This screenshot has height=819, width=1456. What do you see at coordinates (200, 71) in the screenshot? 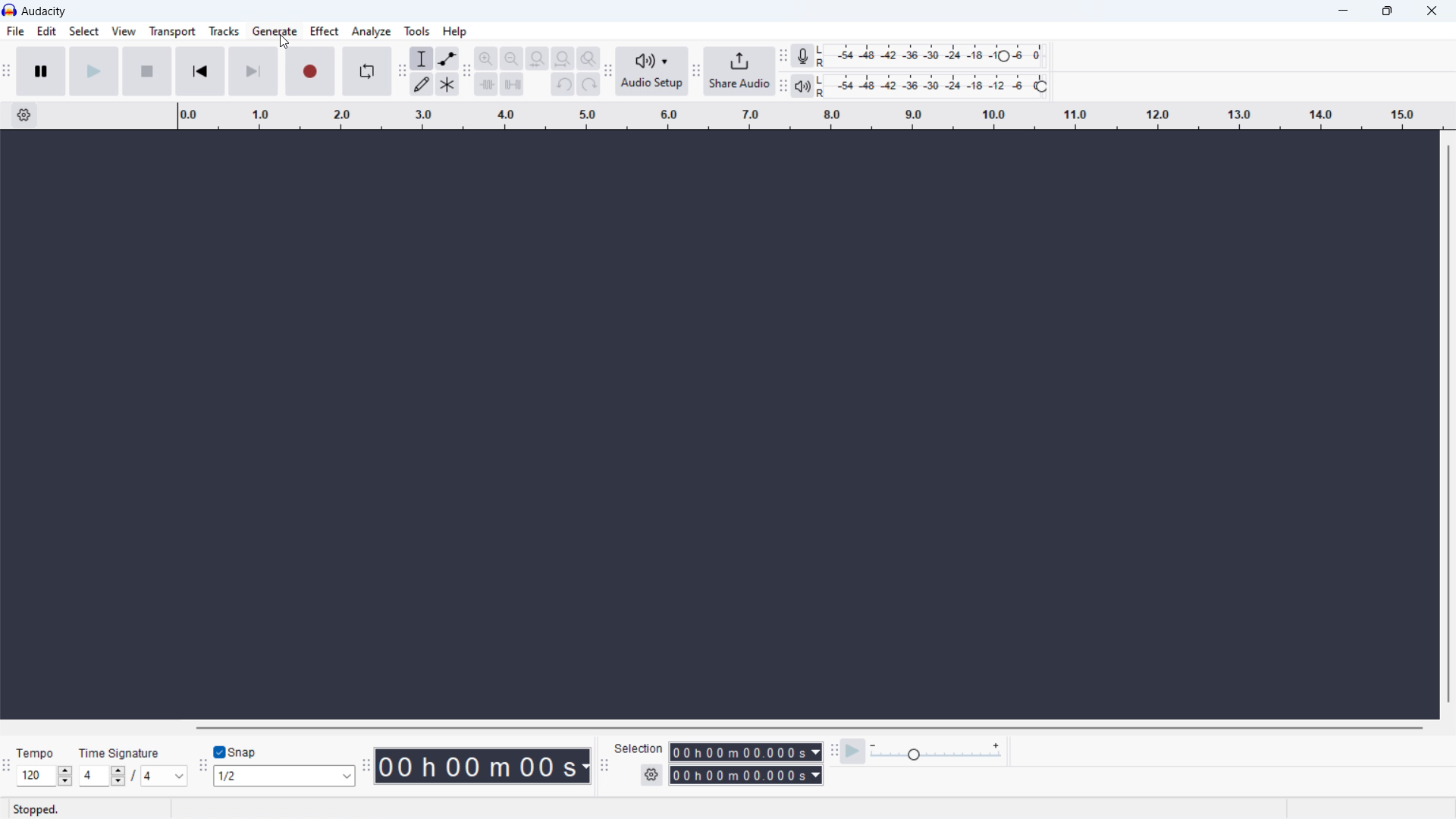
I see `skip to the start` at bounding box center [200, 71].